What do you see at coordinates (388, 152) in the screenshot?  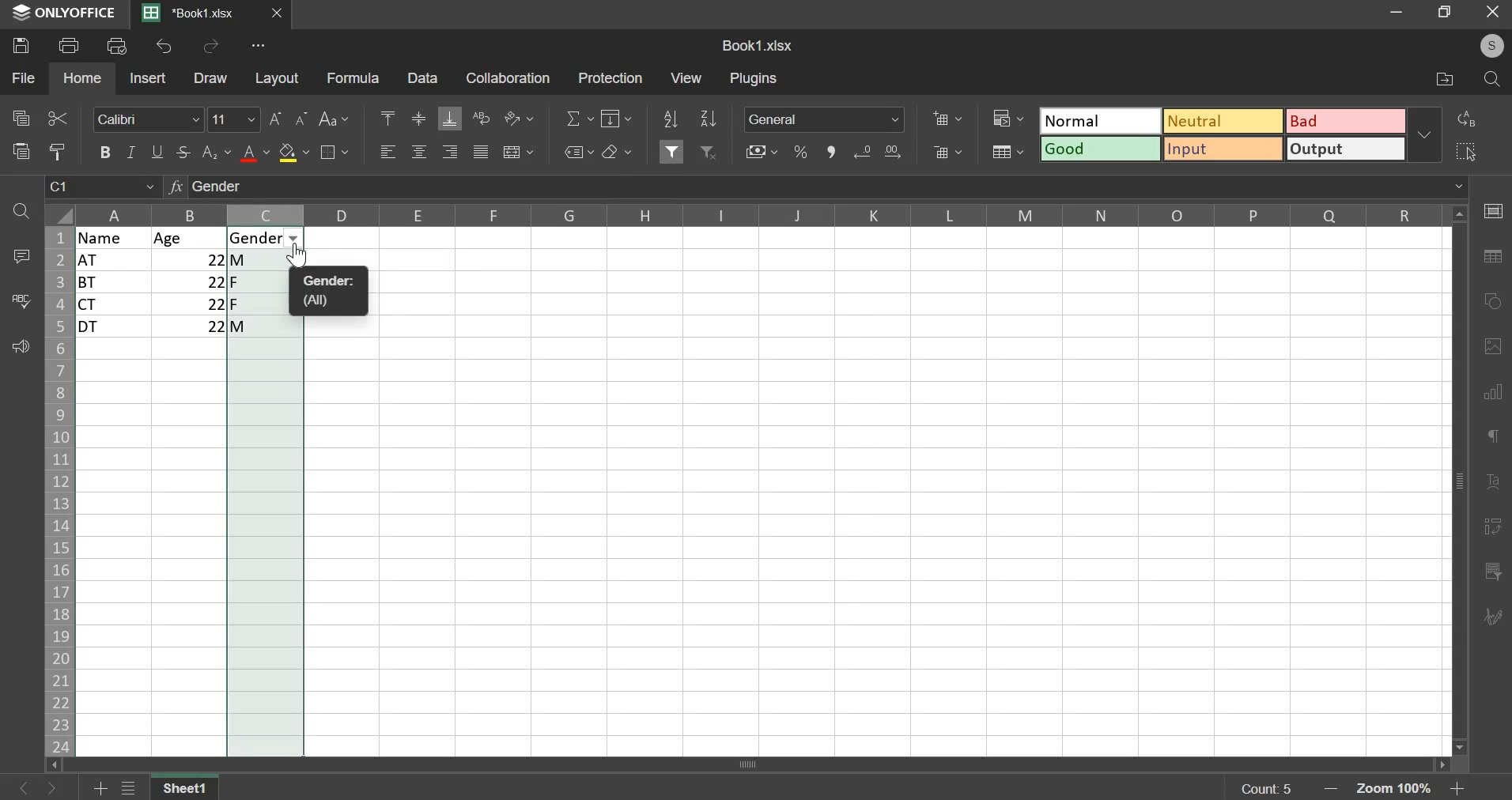 I see `left align` at bounding box center [388, 152].